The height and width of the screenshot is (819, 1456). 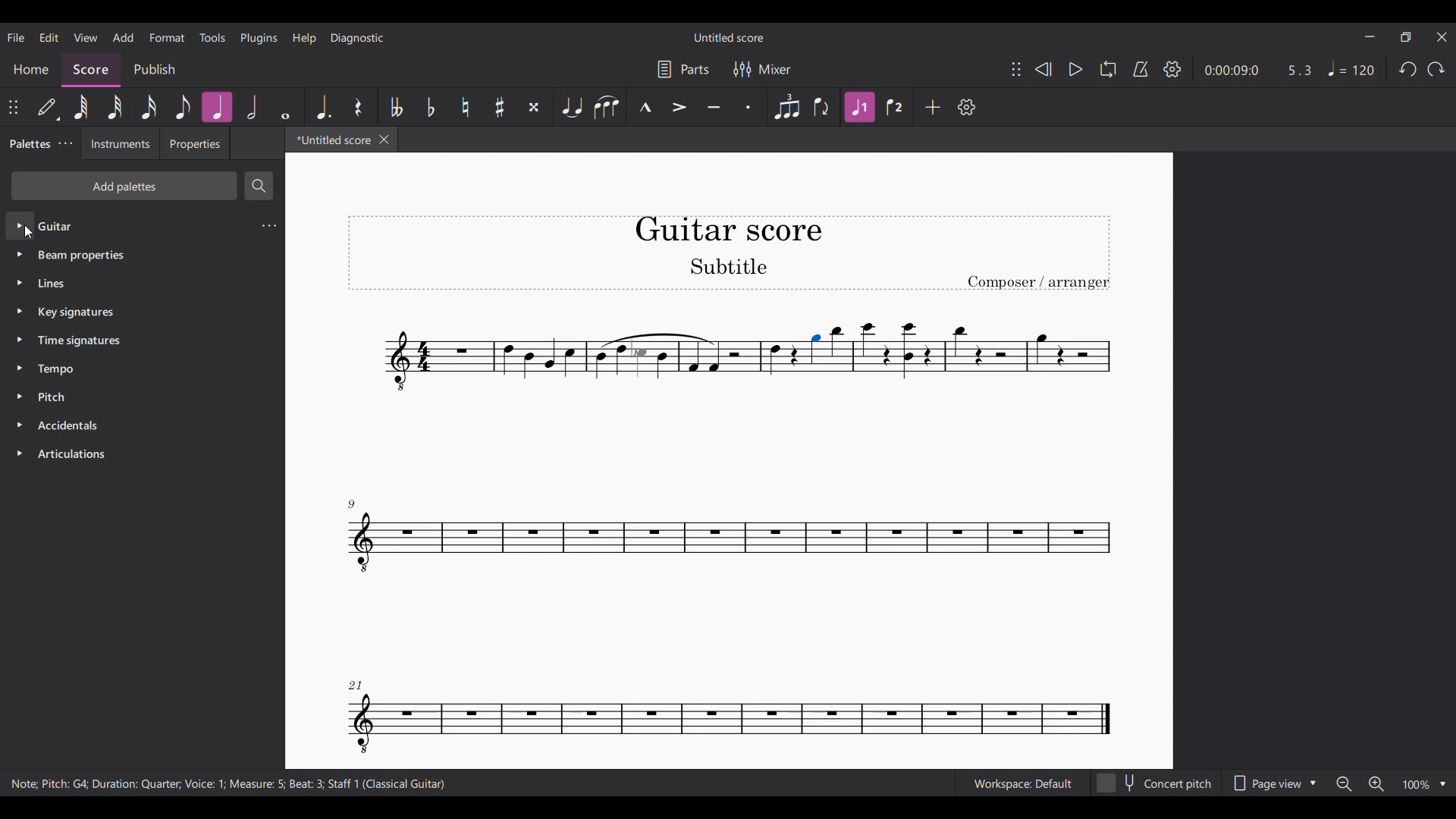 What do you see at coordinates (92, 70) in the screenshot?
I see `Score` at bounding box center [92, 70].